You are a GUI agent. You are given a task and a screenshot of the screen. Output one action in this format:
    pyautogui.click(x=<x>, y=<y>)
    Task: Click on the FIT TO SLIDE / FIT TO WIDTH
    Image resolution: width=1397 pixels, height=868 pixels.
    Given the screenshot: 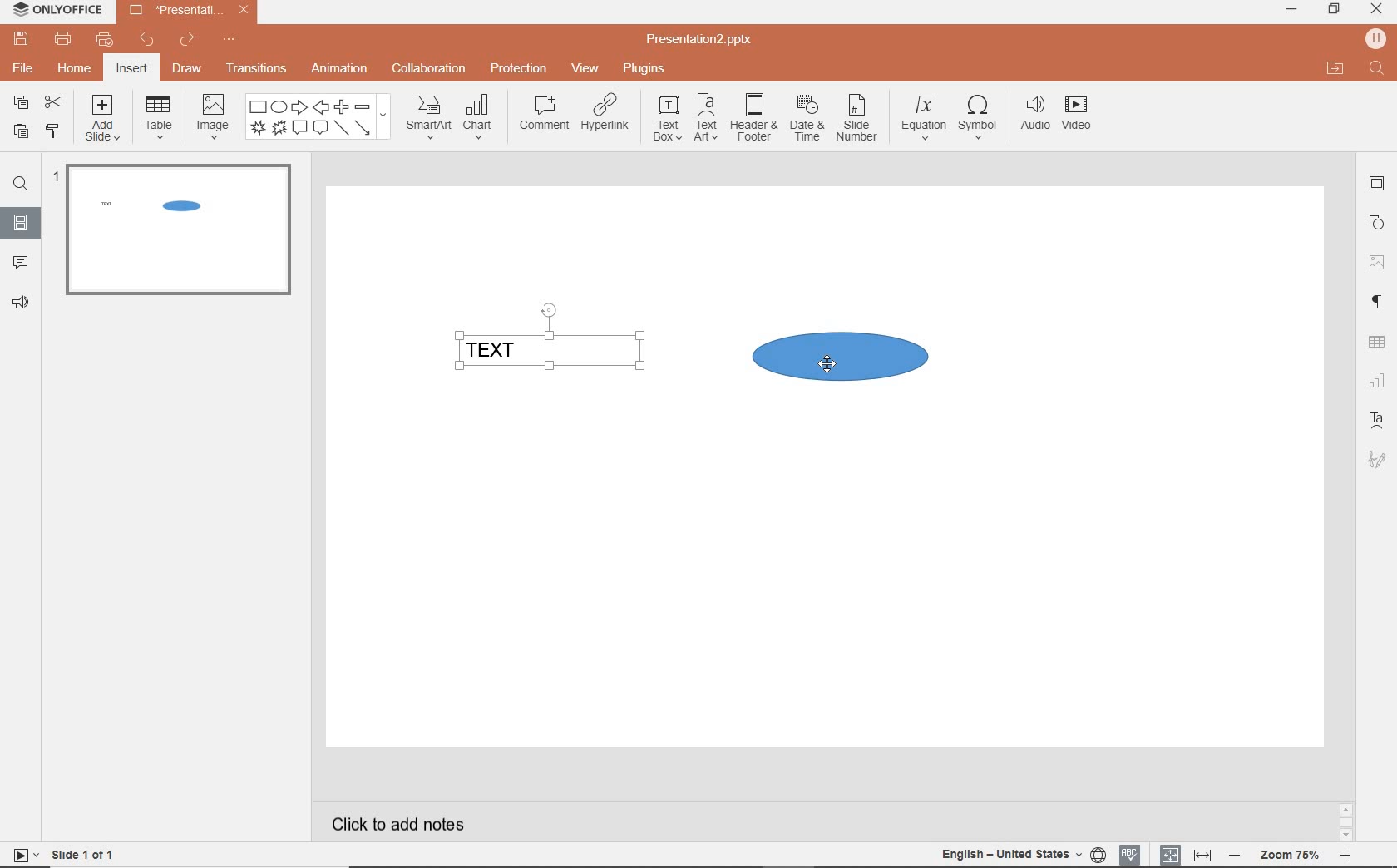 What is the action you would take?
    pyautogui.click(x=1187, y=853)
    